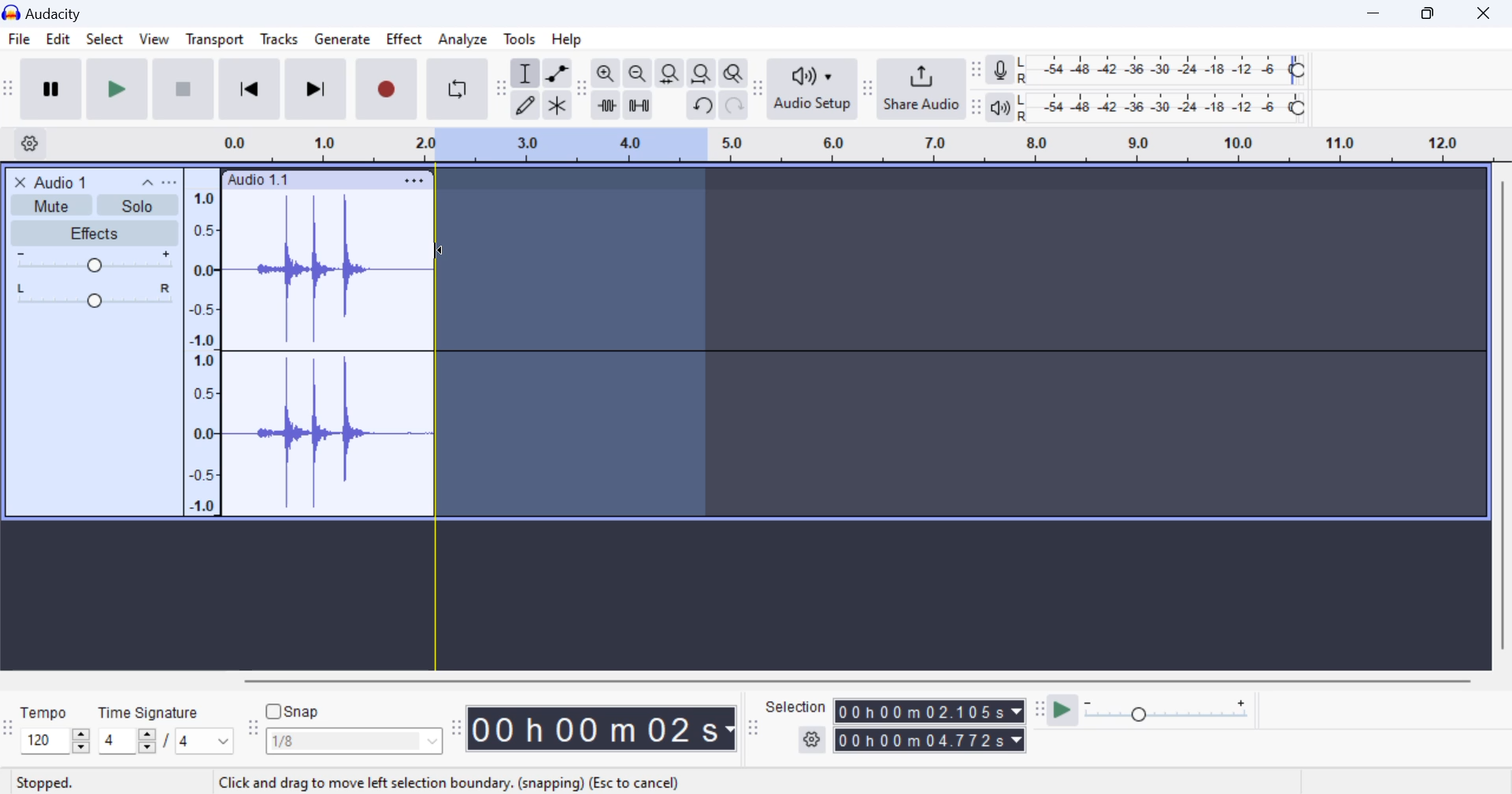 The width and height of the screenshot is (1512, 794). Describe the element at coordinates (607, 105) in the screenshot. I see `trim audio outside select` at that location.